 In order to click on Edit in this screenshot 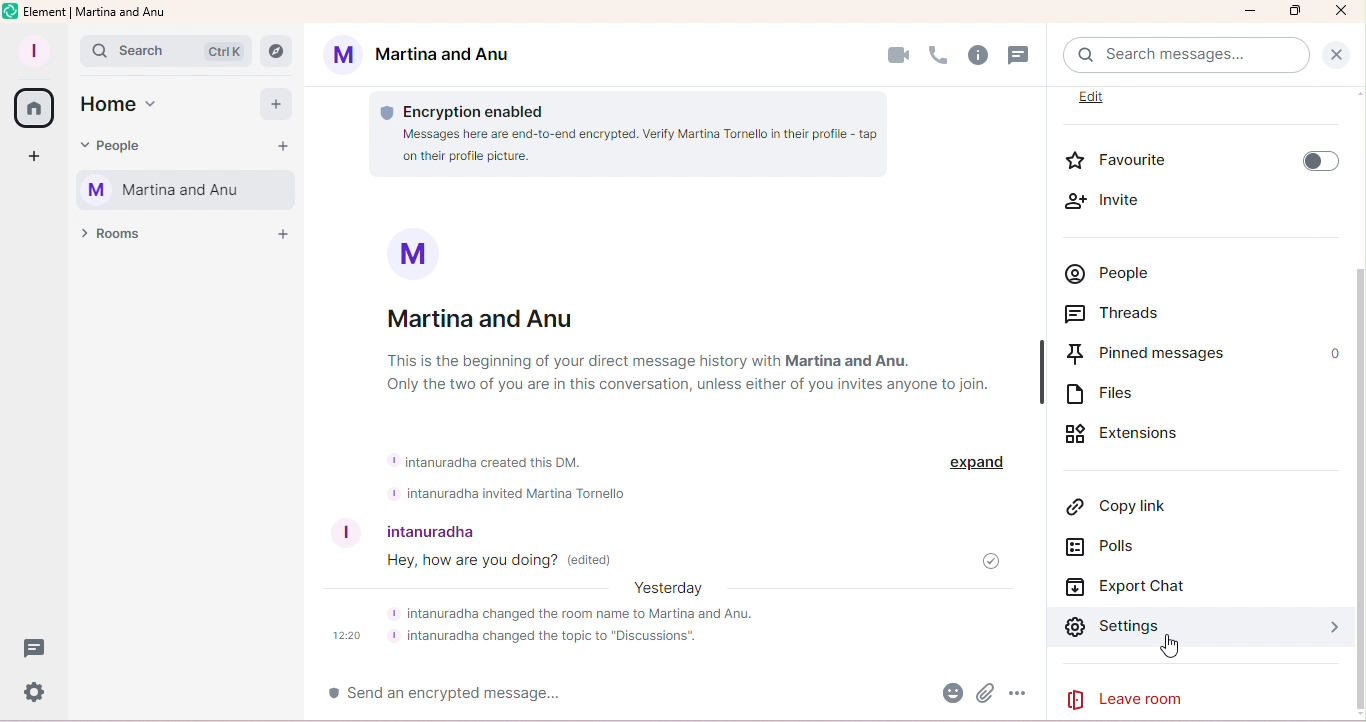, I will do `click(1112, 101)`.